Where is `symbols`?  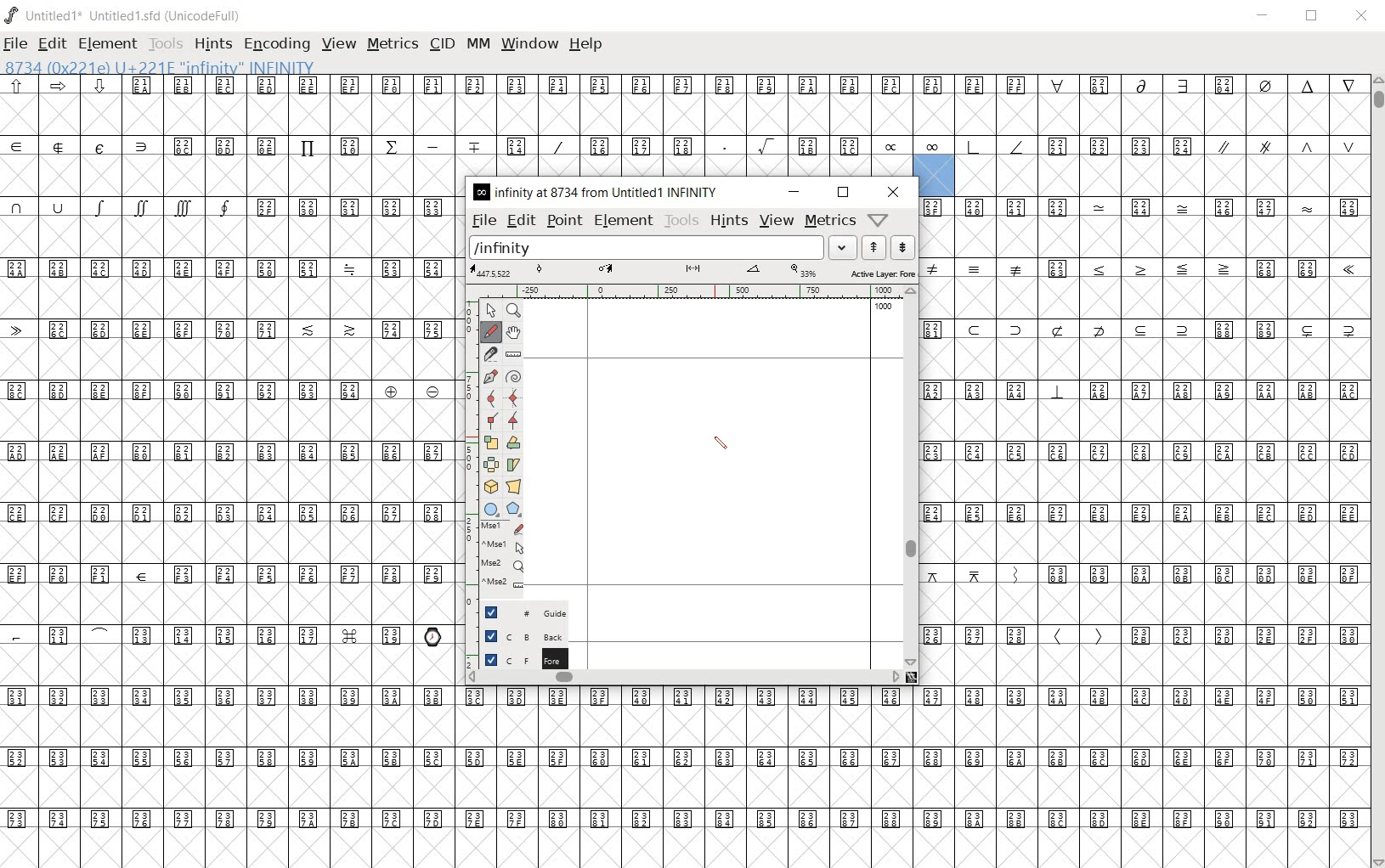
symbols is located at coordinates (1078, 636).